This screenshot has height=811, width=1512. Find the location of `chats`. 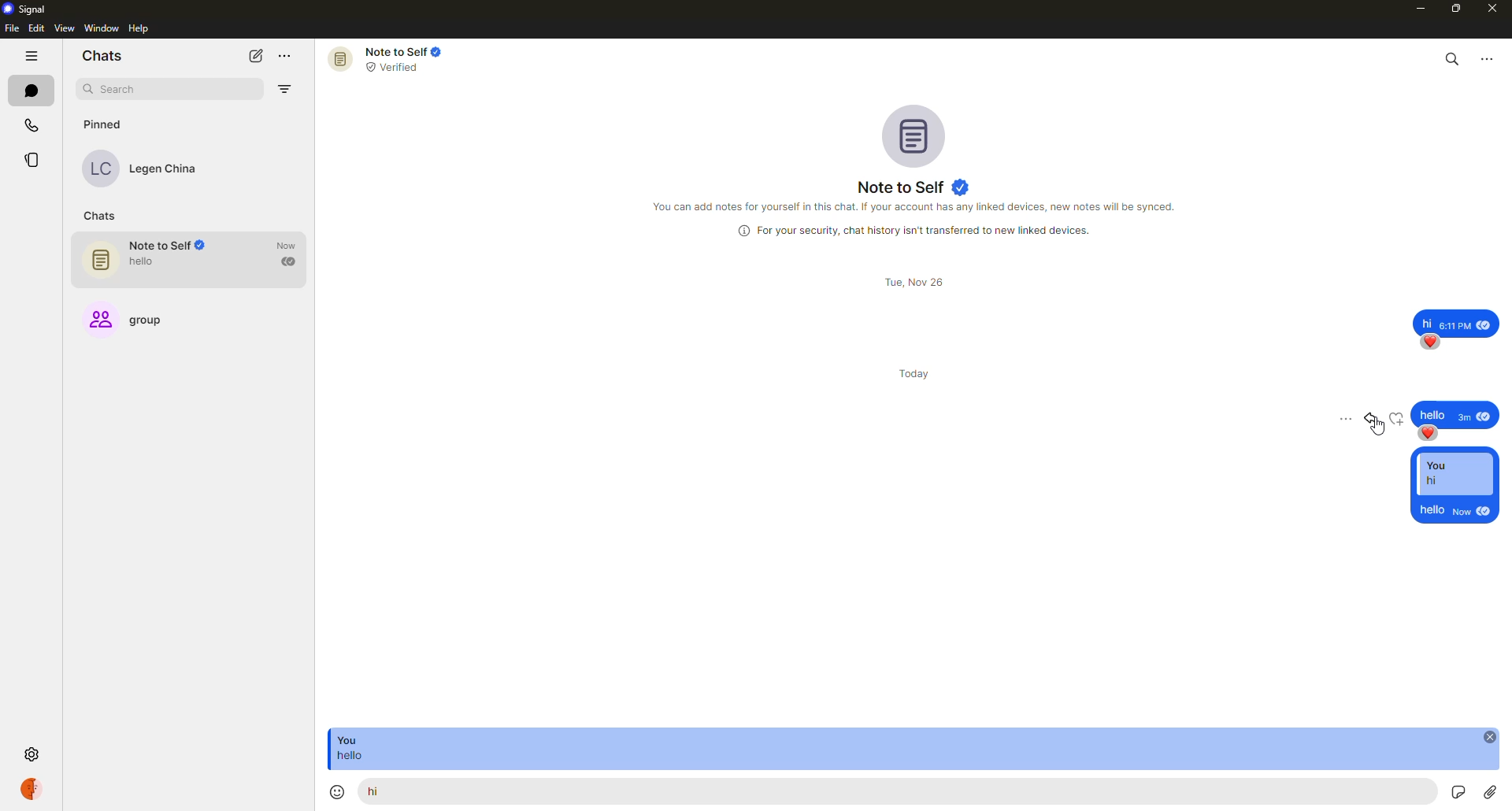

chats is located at coordinates (104, 55).